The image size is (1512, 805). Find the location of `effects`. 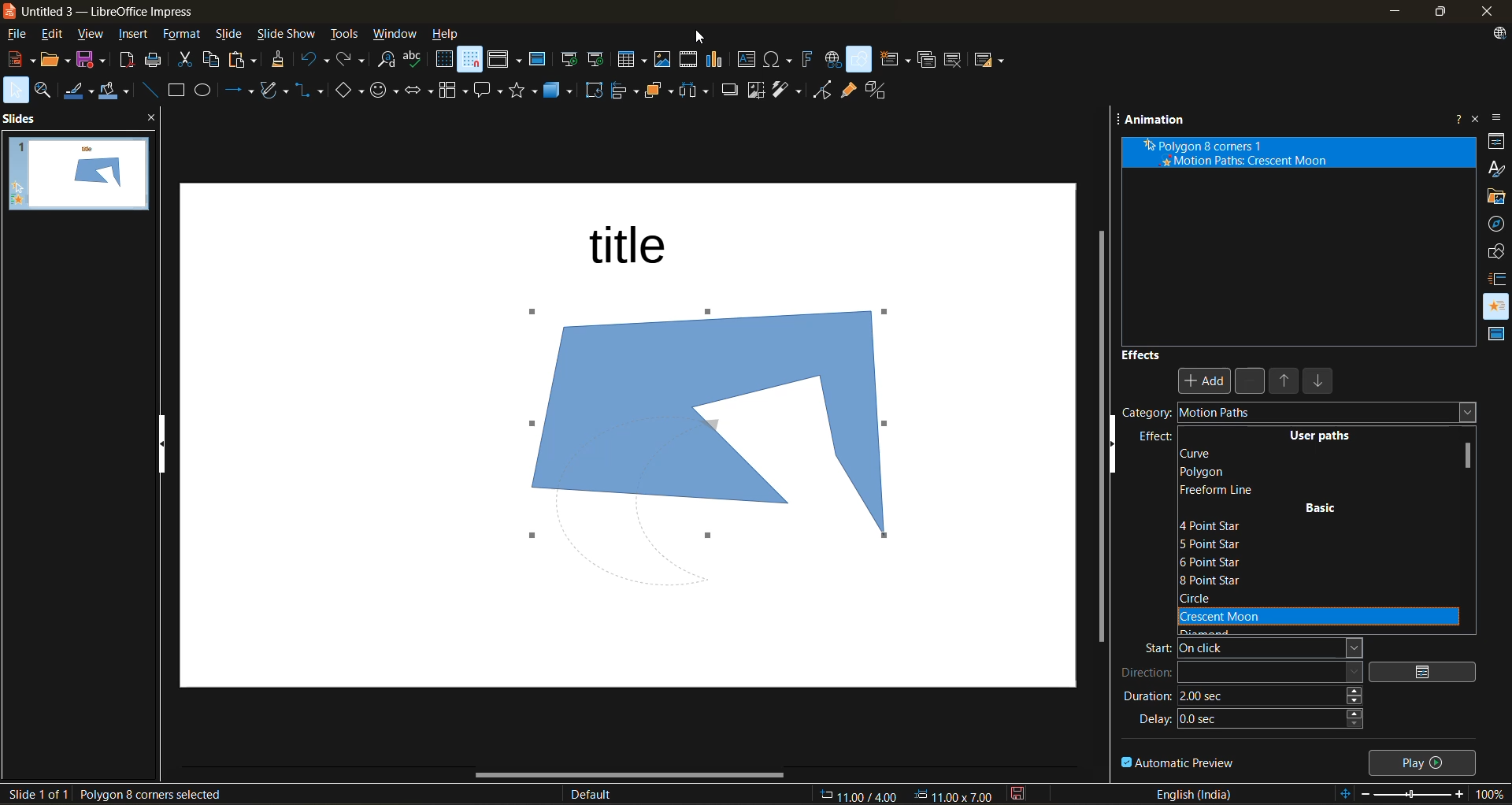

effects is located at coordinates (1148, 354).